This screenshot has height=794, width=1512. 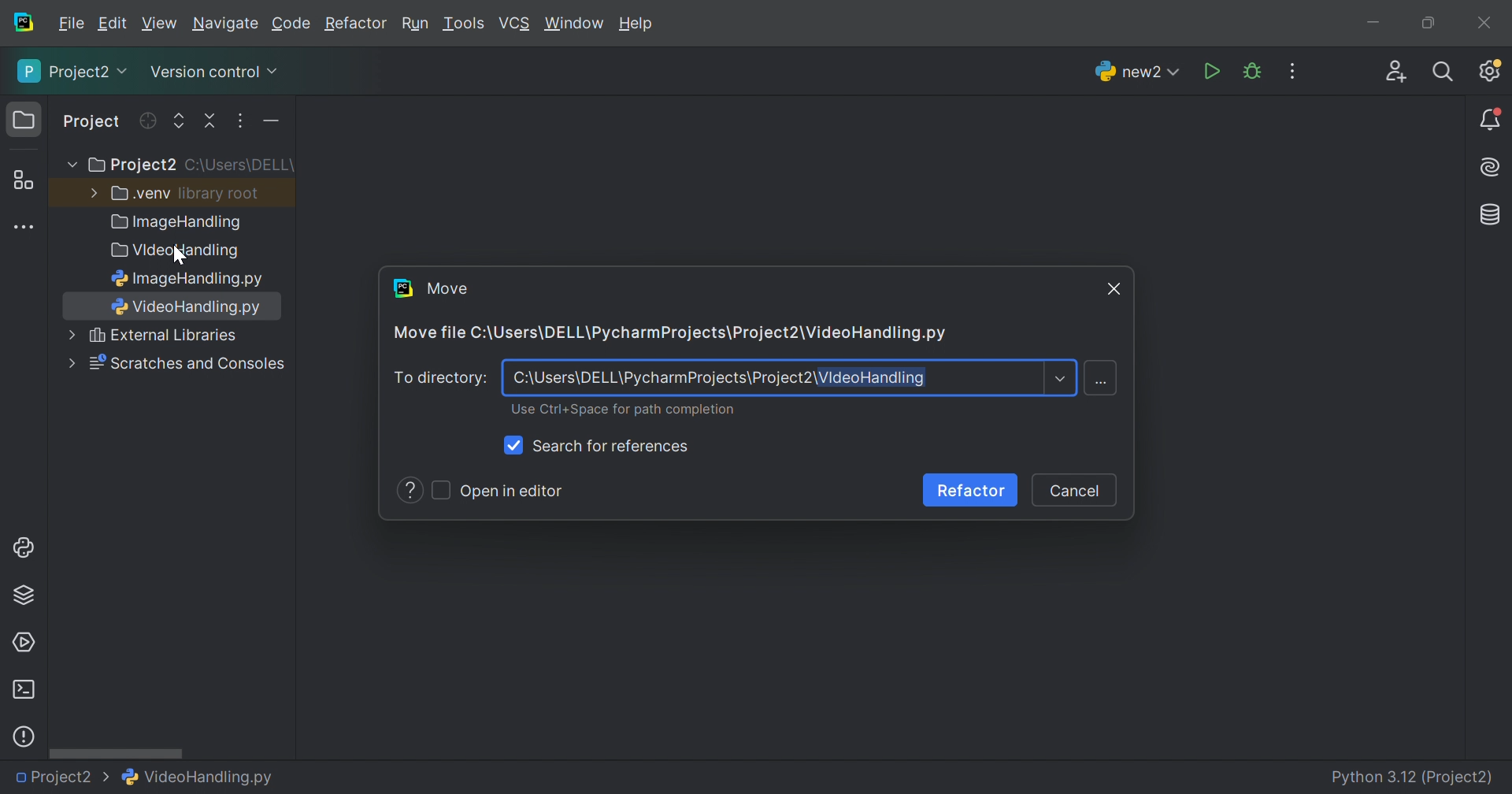 I want to click on External Libraries, so click(x=165, y=336).